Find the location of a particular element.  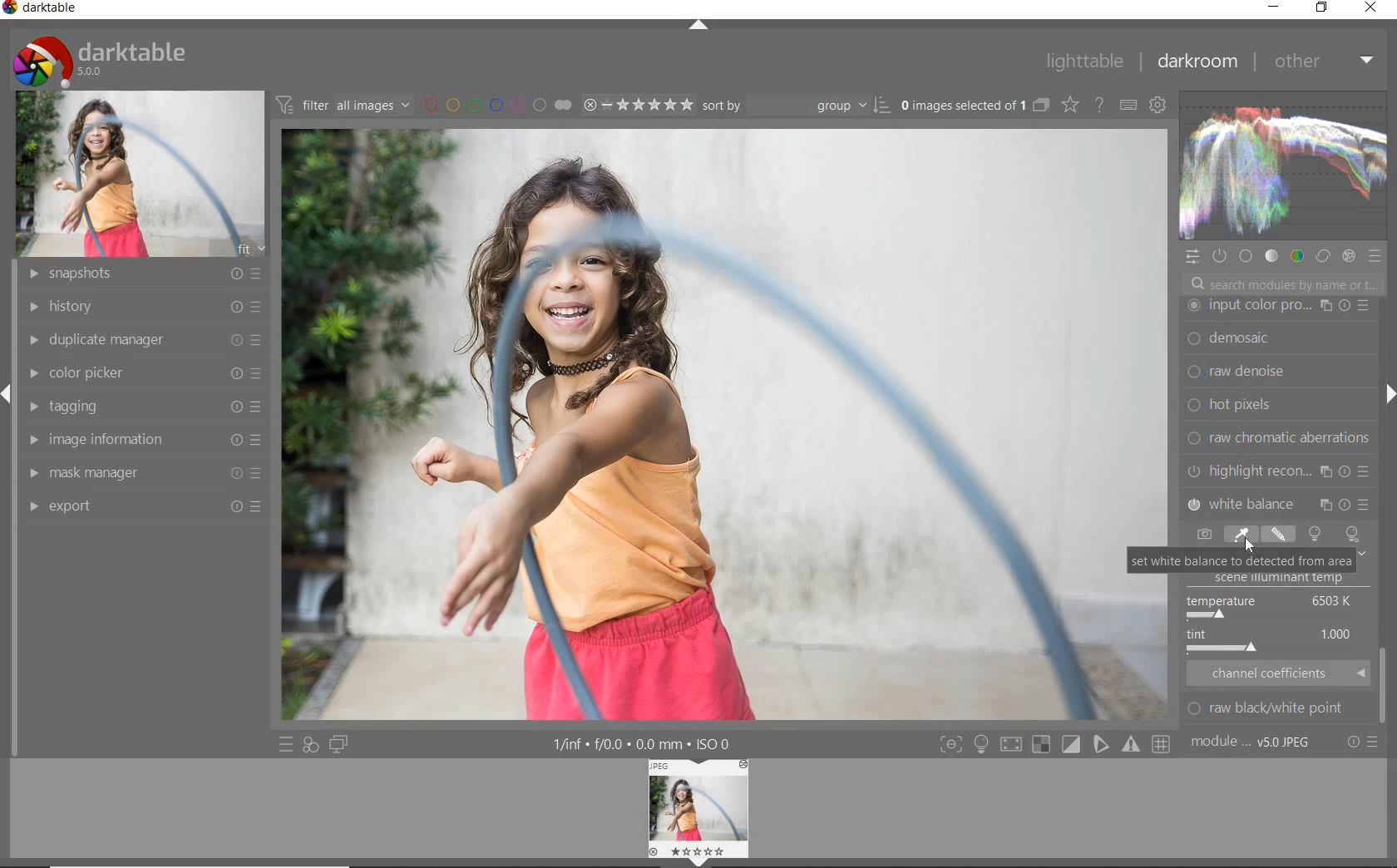

reset or preset preference is located at coordinates (1363, 745).